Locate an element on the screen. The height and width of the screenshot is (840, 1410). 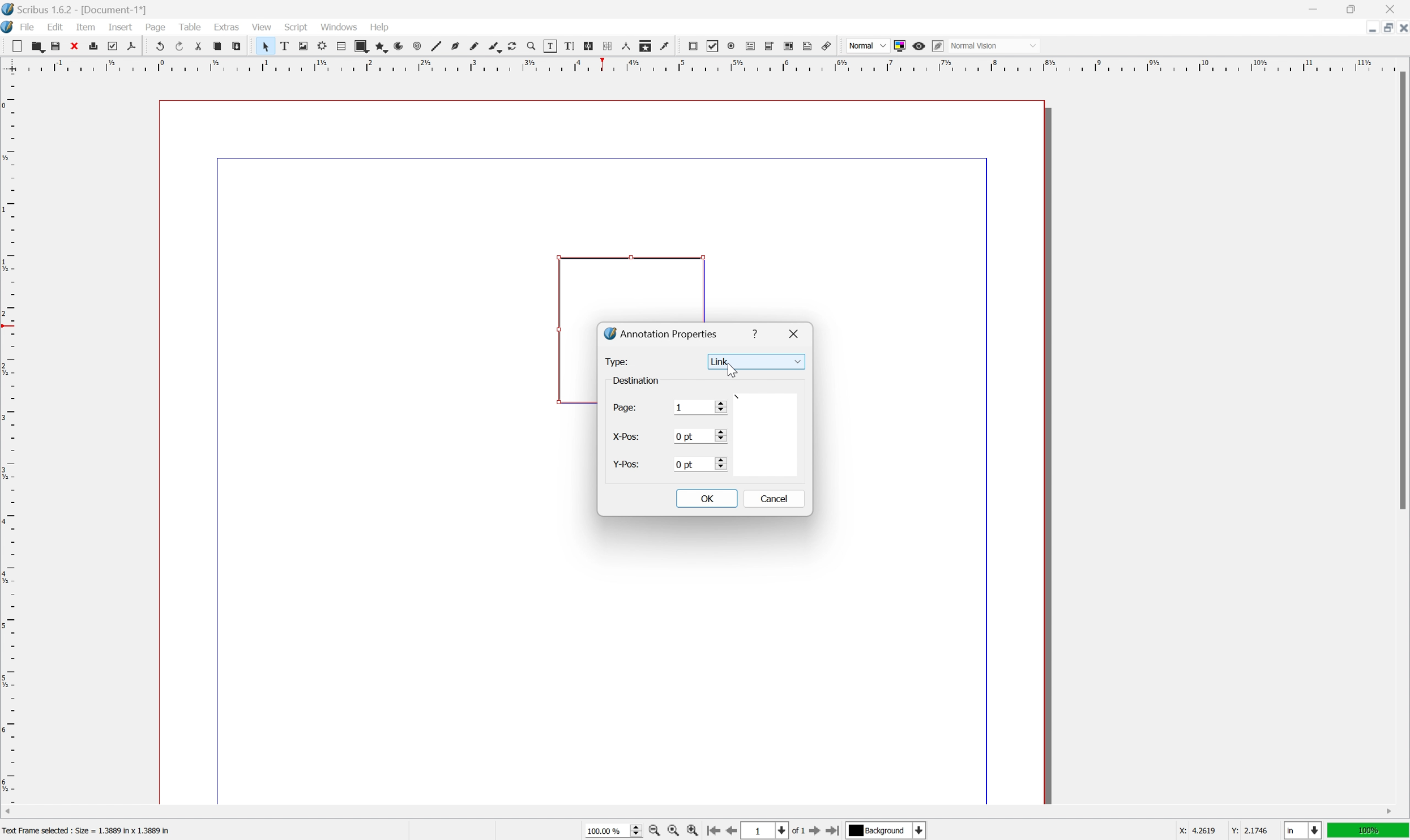
table is located at coordinates (189, 25).